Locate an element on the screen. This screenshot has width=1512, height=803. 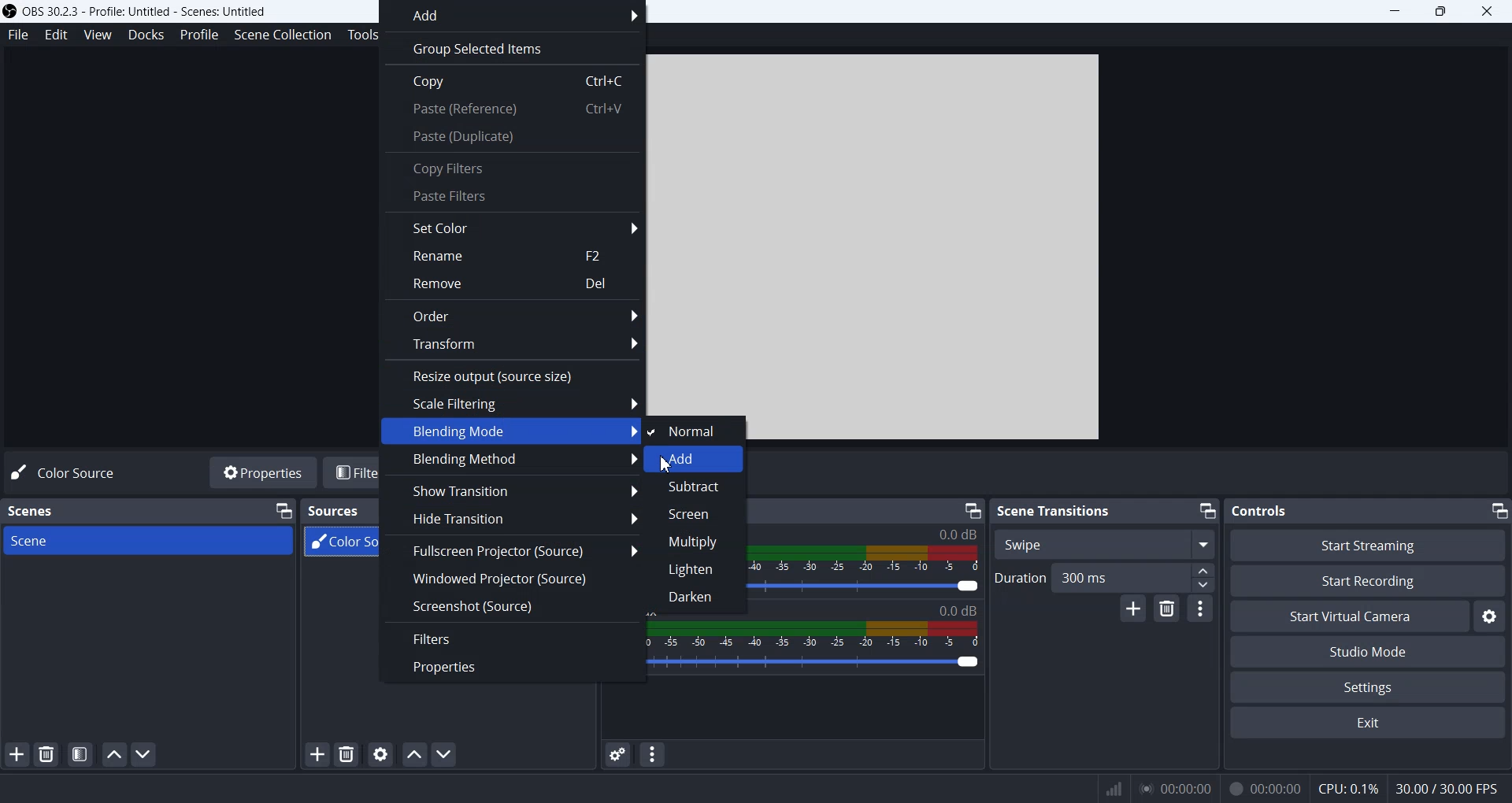
Advance Audio Properties is located at coordinates (617, 754).